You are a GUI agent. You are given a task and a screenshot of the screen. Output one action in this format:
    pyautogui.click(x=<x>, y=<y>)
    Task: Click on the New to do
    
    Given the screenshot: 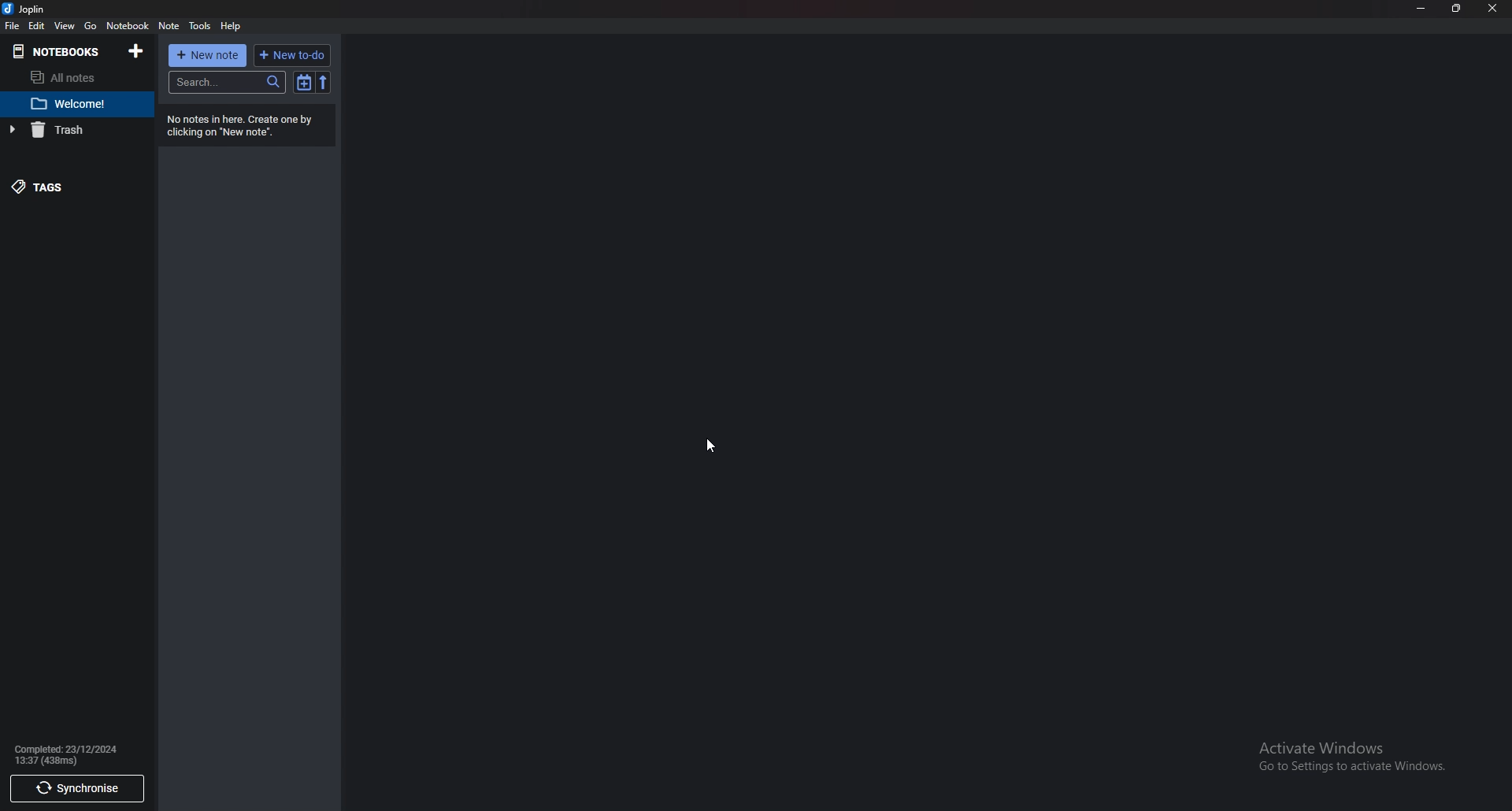 What is the action you would take?
    pyautogui.click(x=292, y=57)
    